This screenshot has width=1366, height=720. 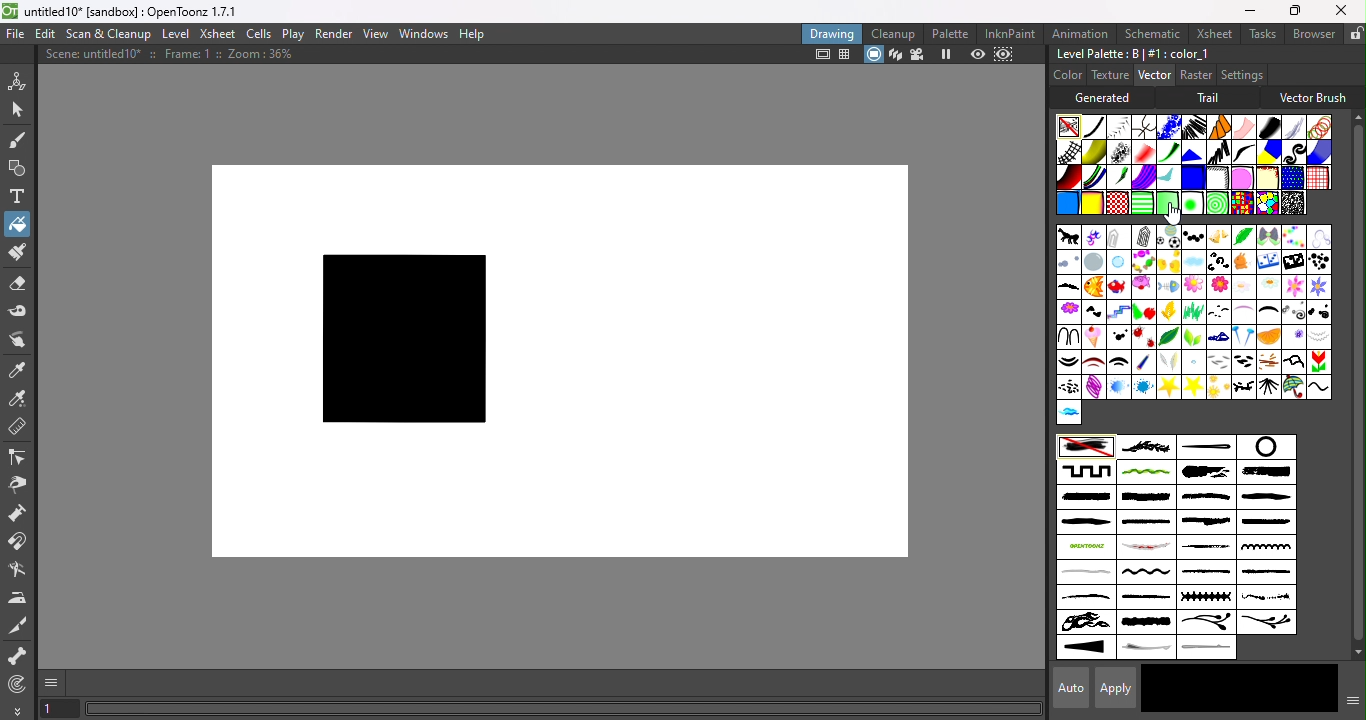 I want to click on simple_lace, so click(x=1264, y=547).